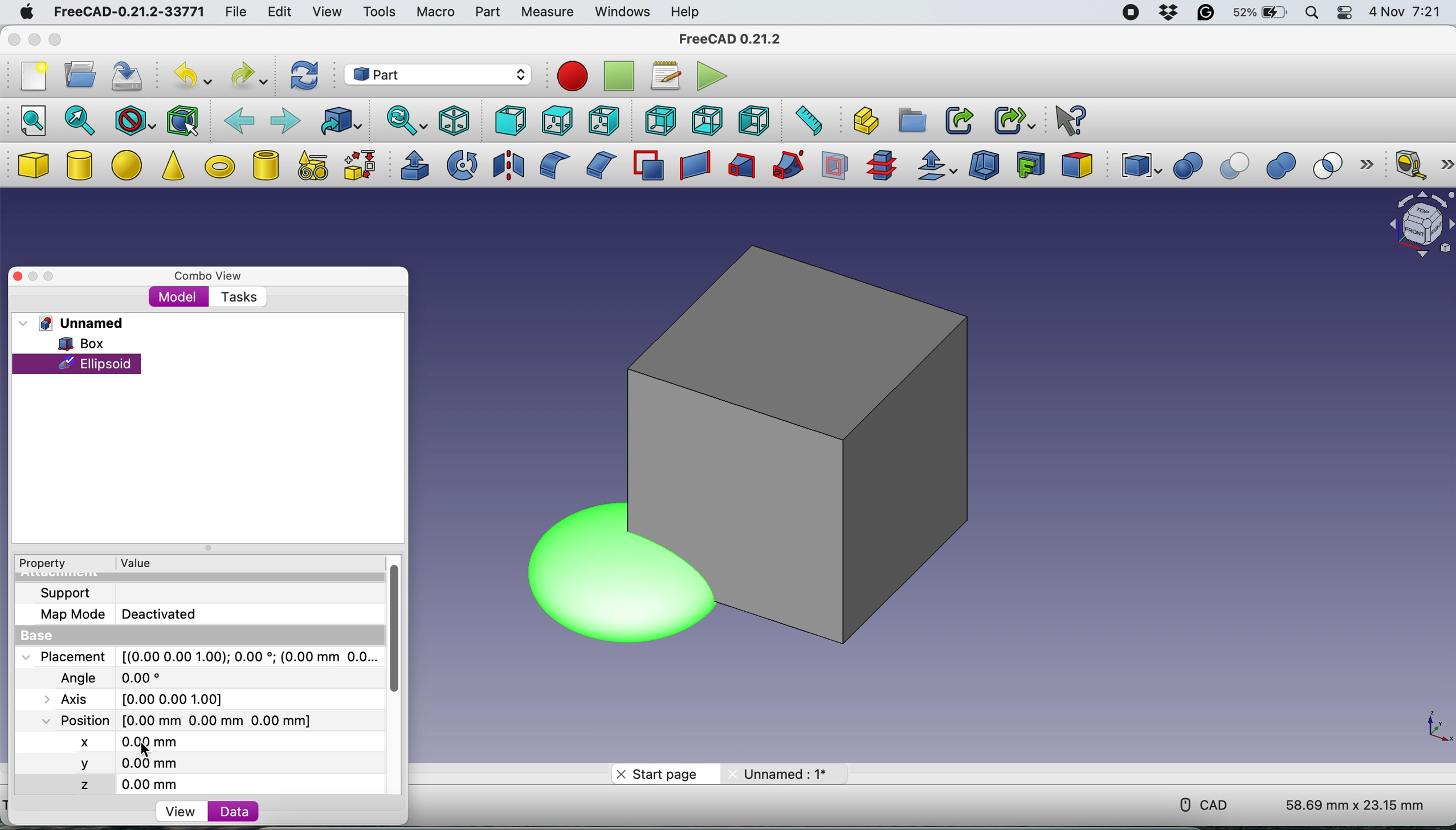  Describe the element at coordinates (239, 119) in the screenshot. I see `backward` at that location.